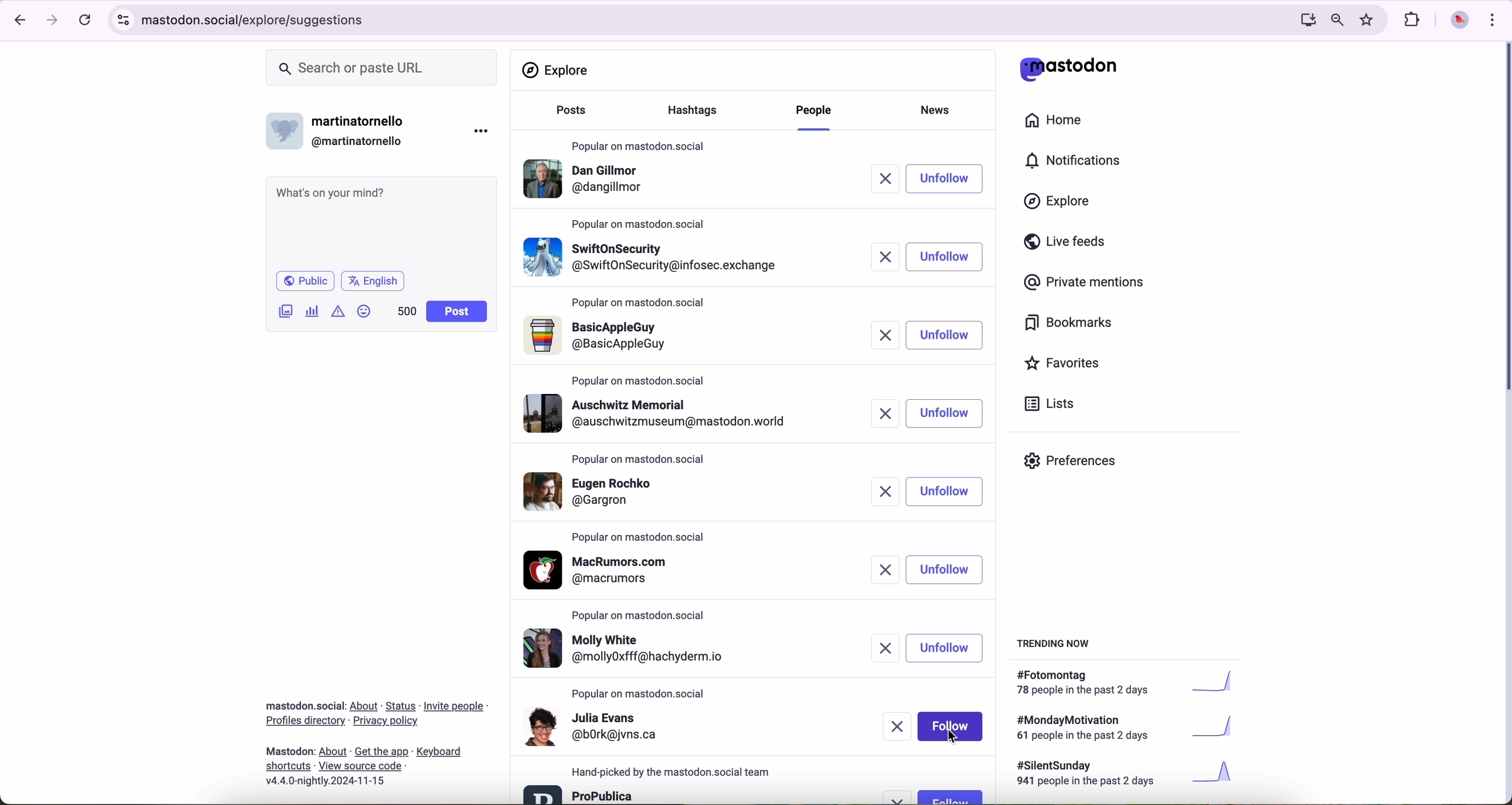 This screenshot has width=1512, height=805. What do you see at coordinates (406, 311) in the screenshot?
I see `500 characters` at bounding box center [406, 311].